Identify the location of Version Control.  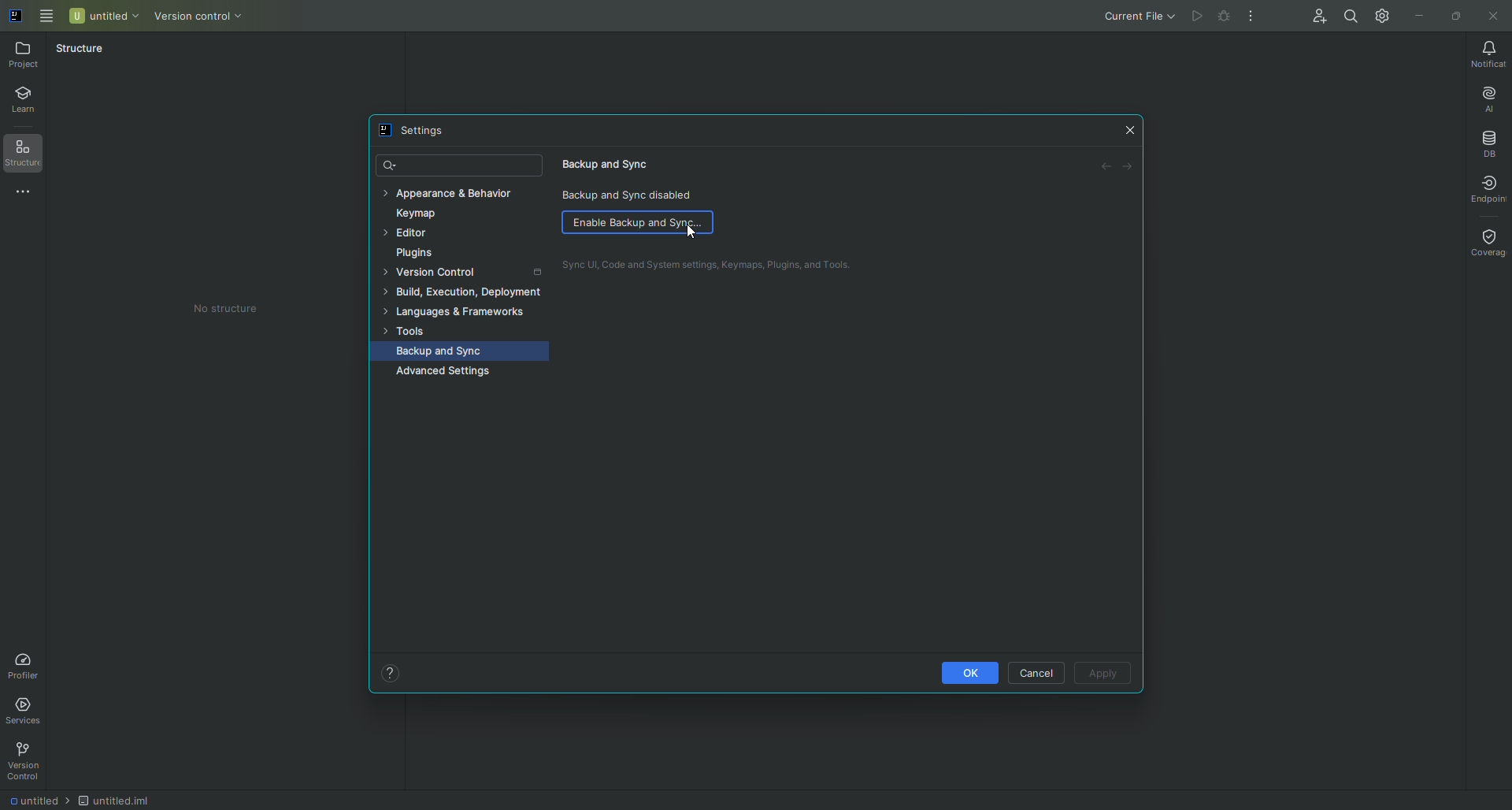
(212, 17).